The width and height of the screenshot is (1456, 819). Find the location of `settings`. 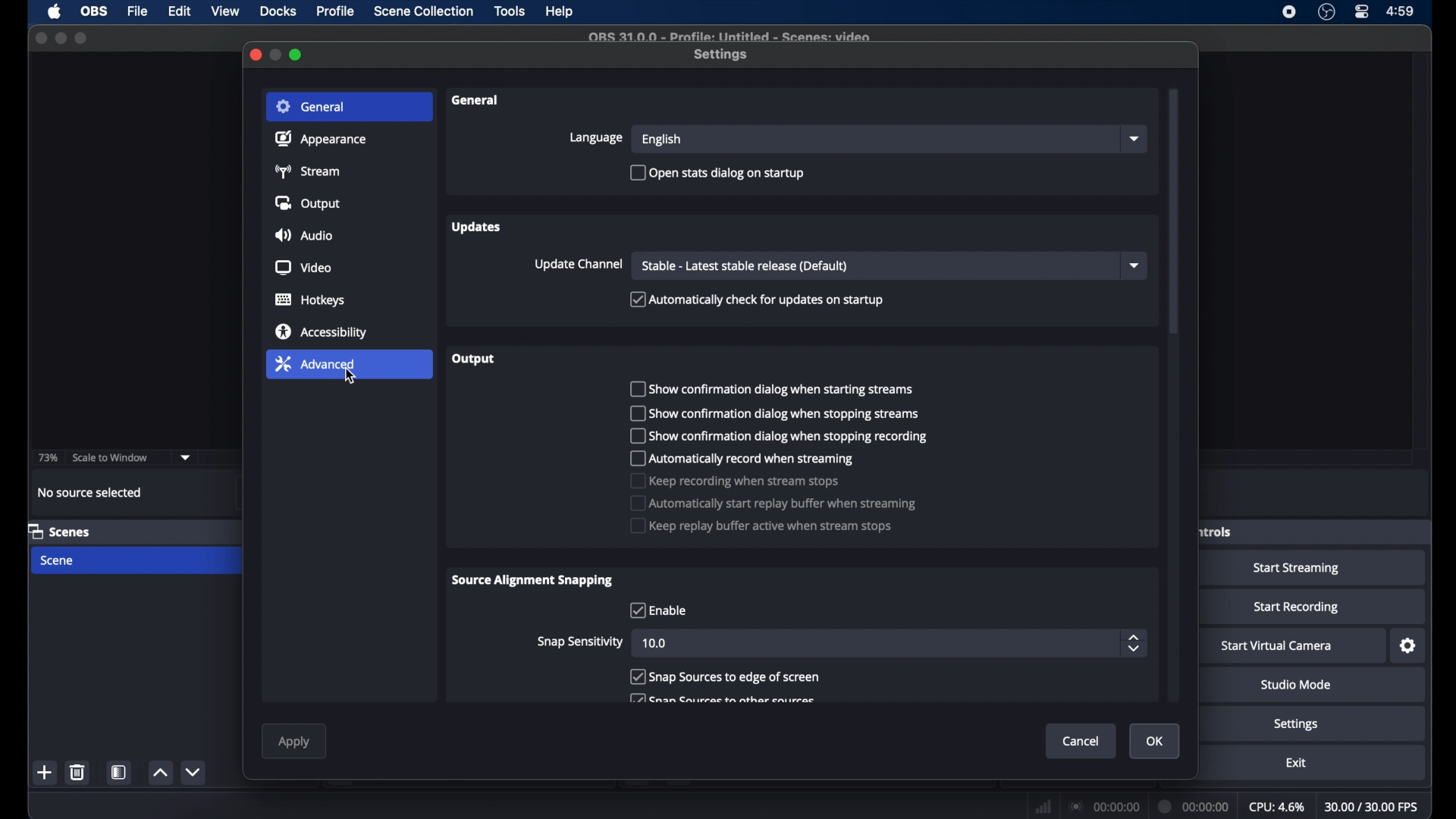

settings is located at coordinates (722, 55).